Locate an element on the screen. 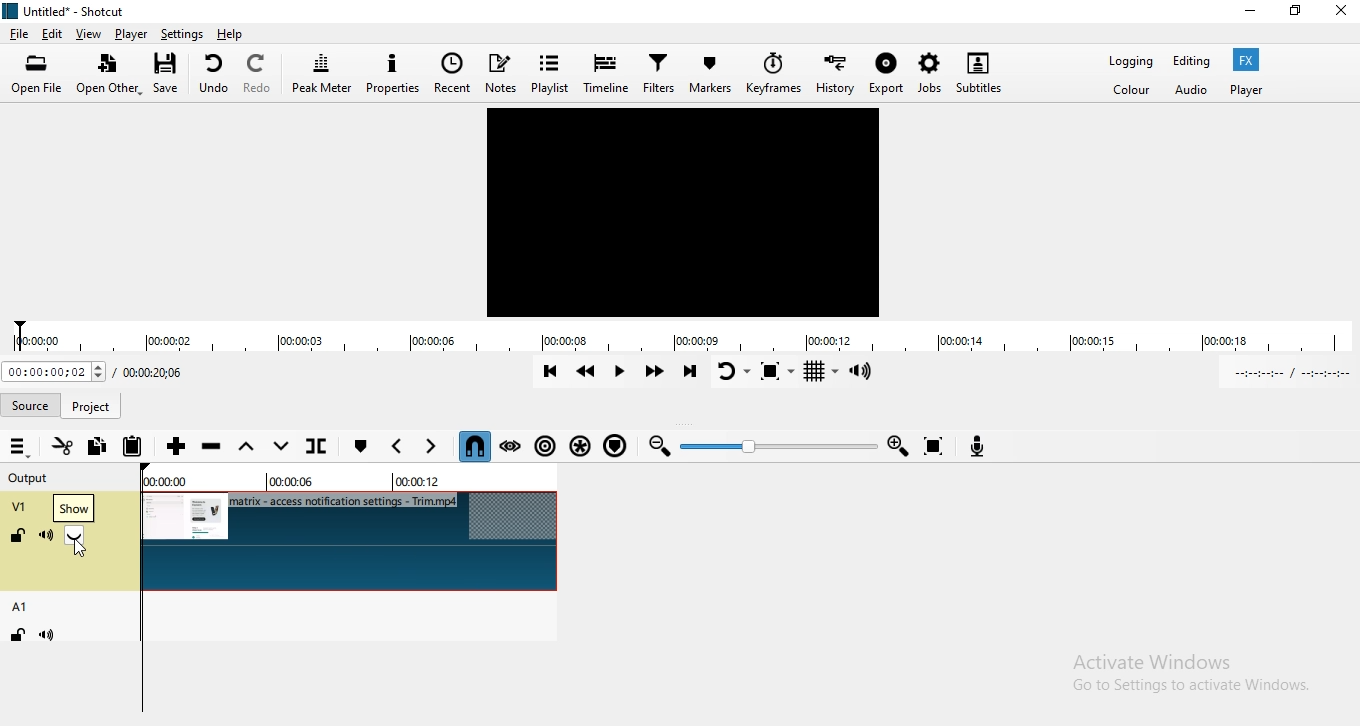 This screenshot has width=1360, height=726. Hide is located at coordinates (83, 536).